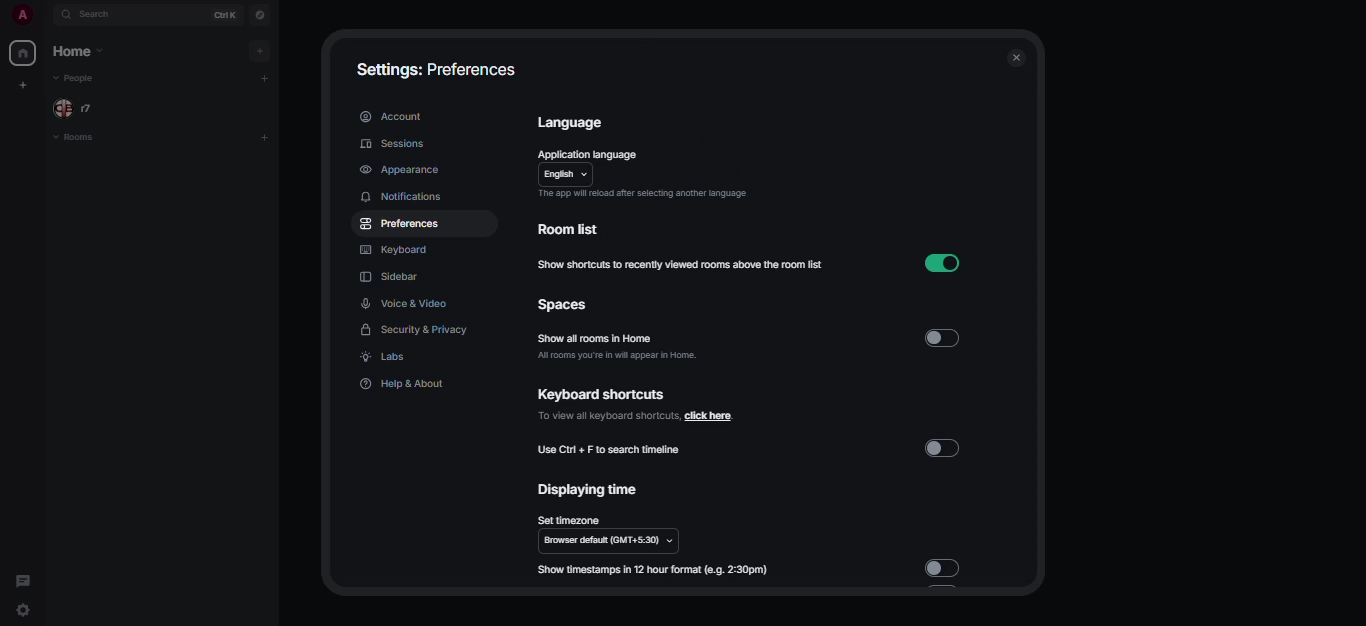 This screenshot has width=1366, height=626. Describe the element at coordinates (384, 356) in the screenshot. I see `labs` at that location.